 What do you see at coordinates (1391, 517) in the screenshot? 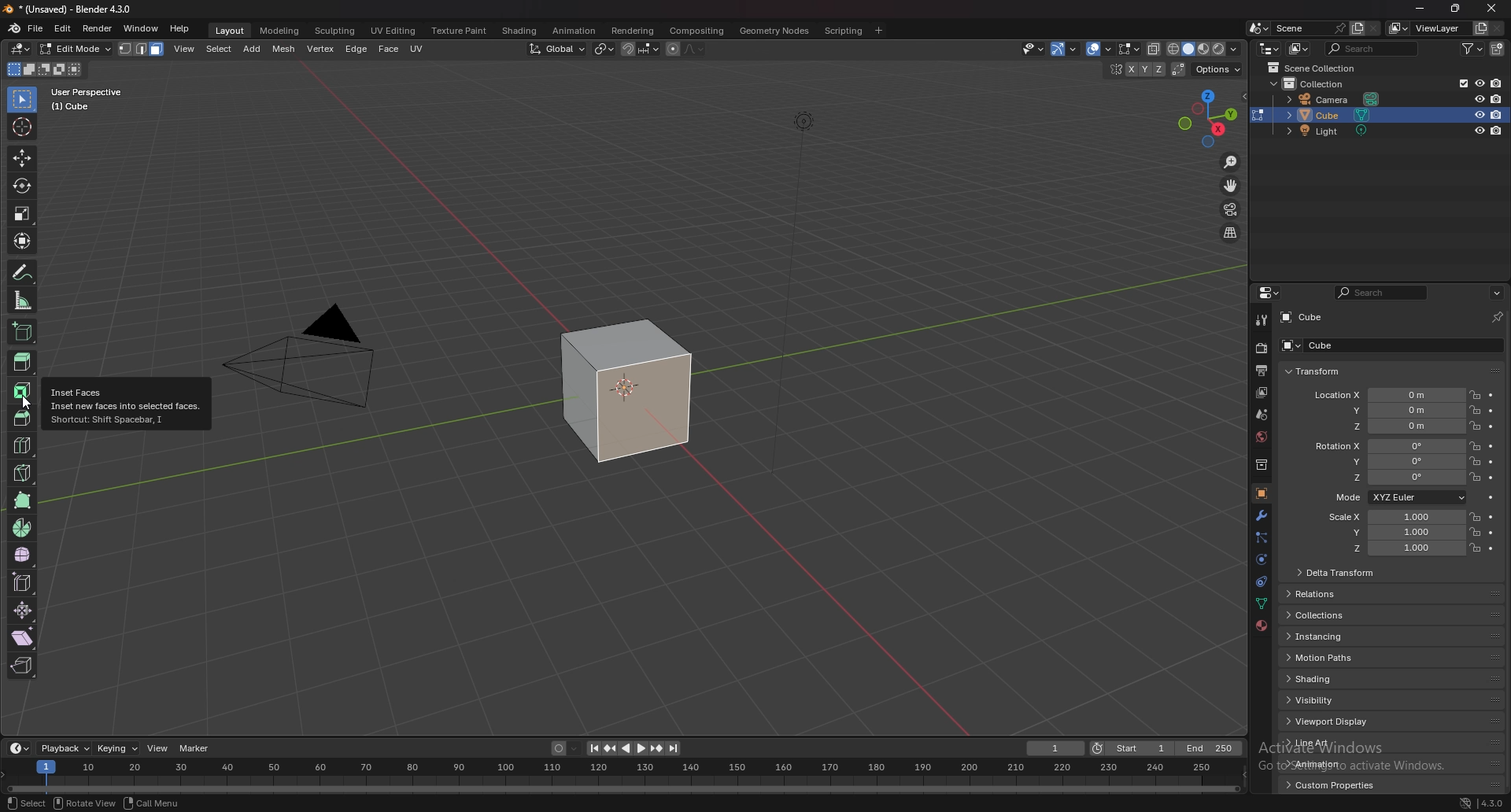
I see `scale x` at bounding box center [1391, 517].